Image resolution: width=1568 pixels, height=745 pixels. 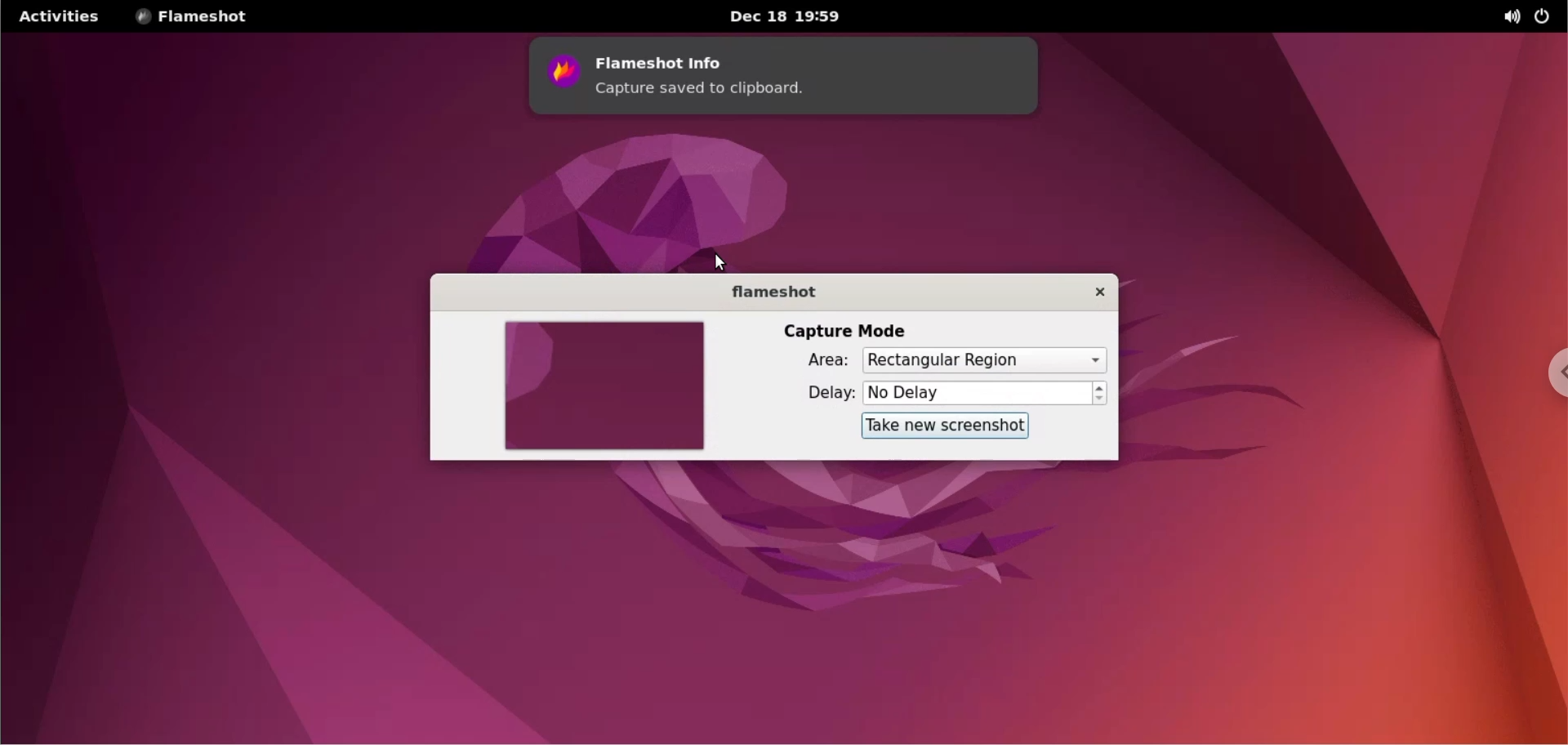 I want to click on flameshot label, so click(x=773, y=292).